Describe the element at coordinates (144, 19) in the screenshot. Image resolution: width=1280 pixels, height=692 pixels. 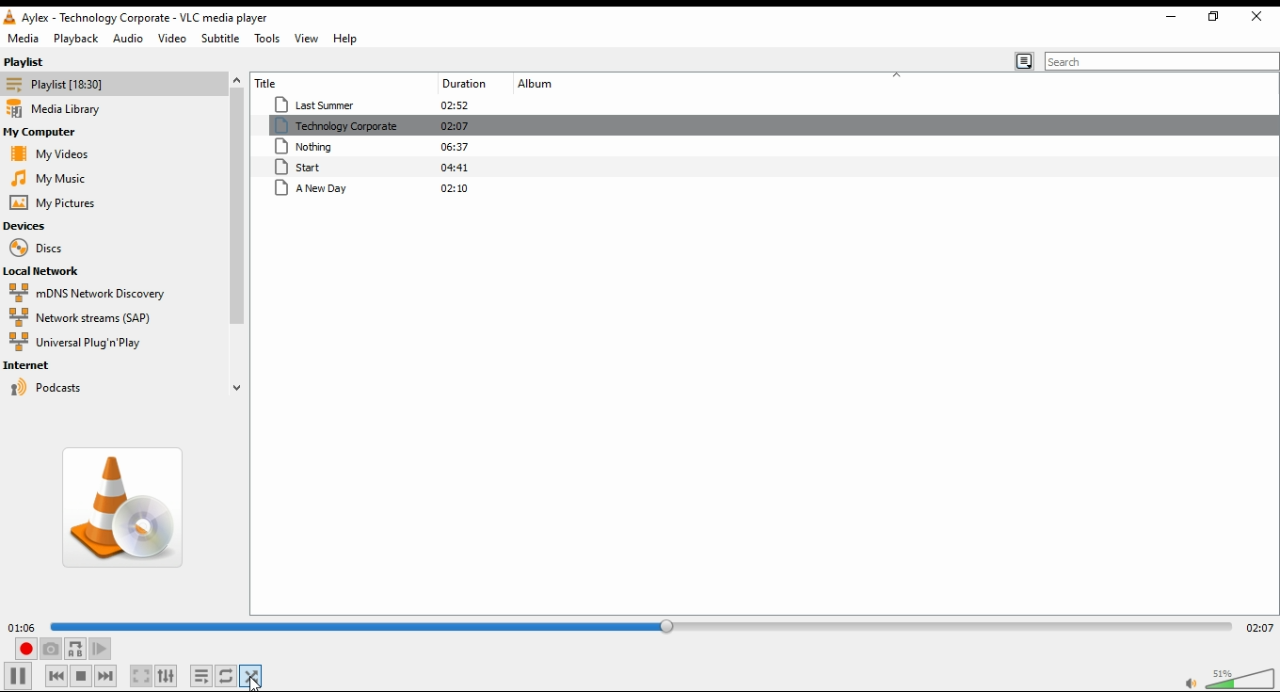
I see `Aylex-technology corporate-VLC media player` at that location.